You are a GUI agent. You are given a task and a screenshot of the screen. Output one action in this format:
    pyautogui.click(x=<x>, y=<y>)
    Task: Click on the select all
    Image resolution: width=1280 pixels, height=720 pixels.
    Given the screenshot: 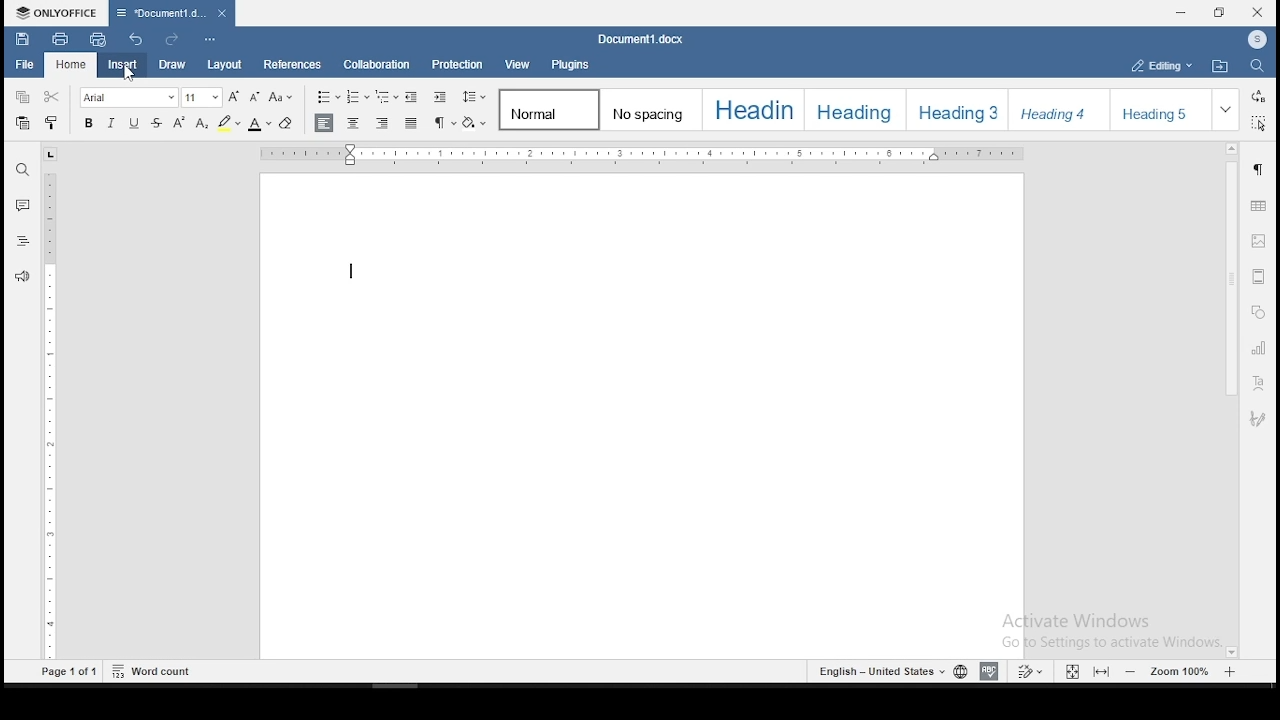 What is the action you would take?
    pyautogui.click(x=1260, y=124)
    